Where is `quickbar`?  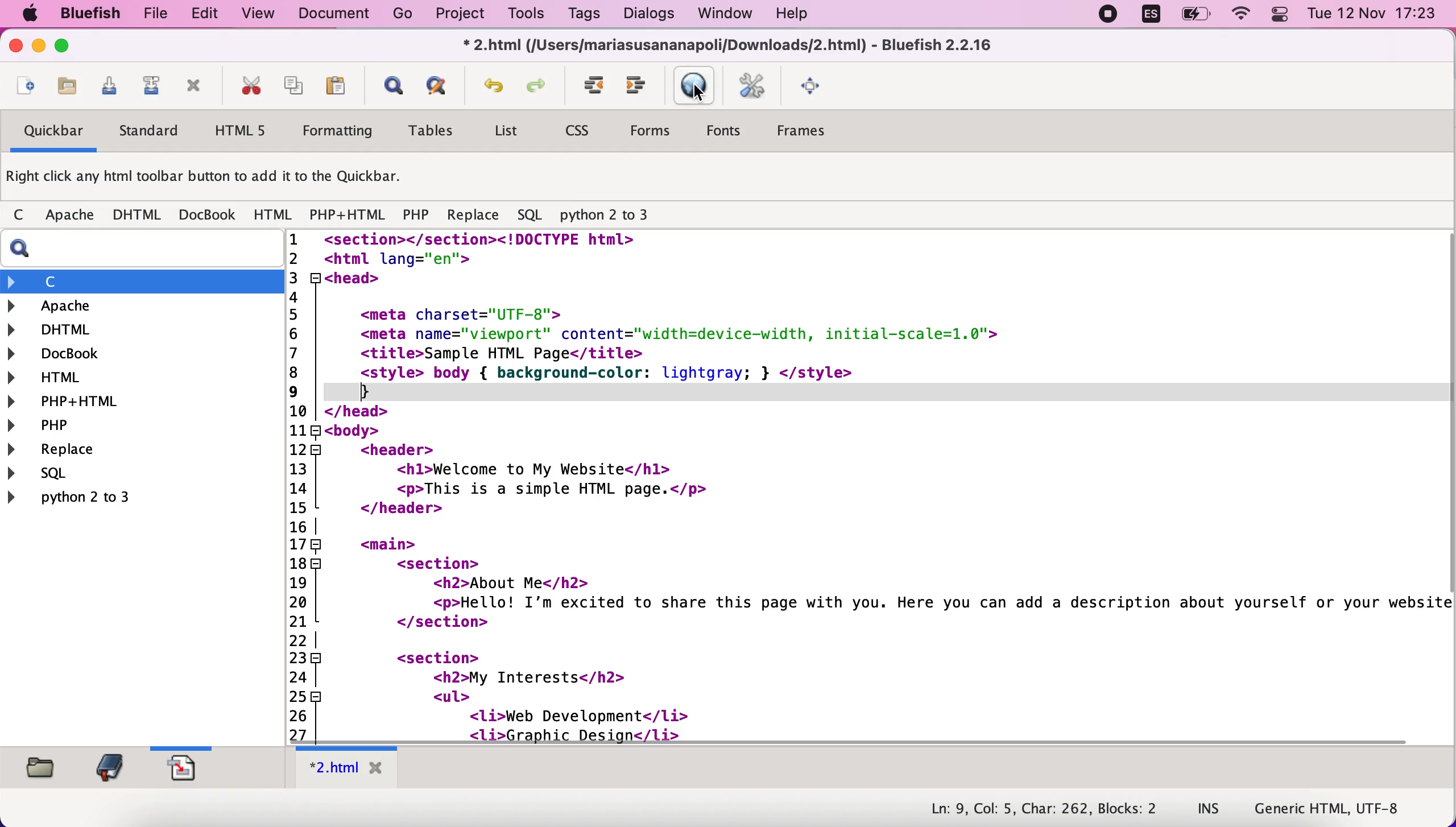
quickbar is located at coordinates (53, 132).